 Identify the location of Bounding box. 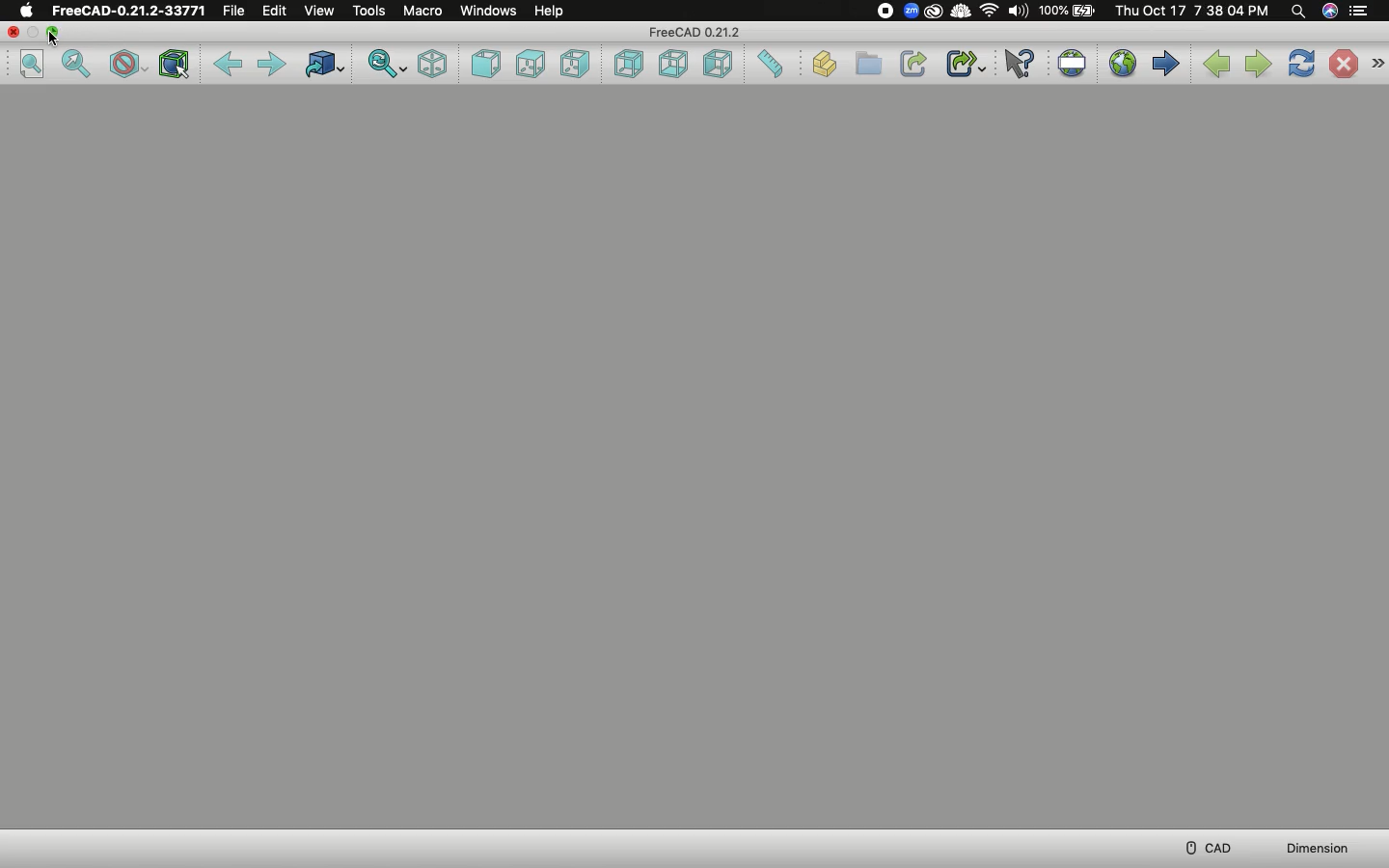
(175, 65).